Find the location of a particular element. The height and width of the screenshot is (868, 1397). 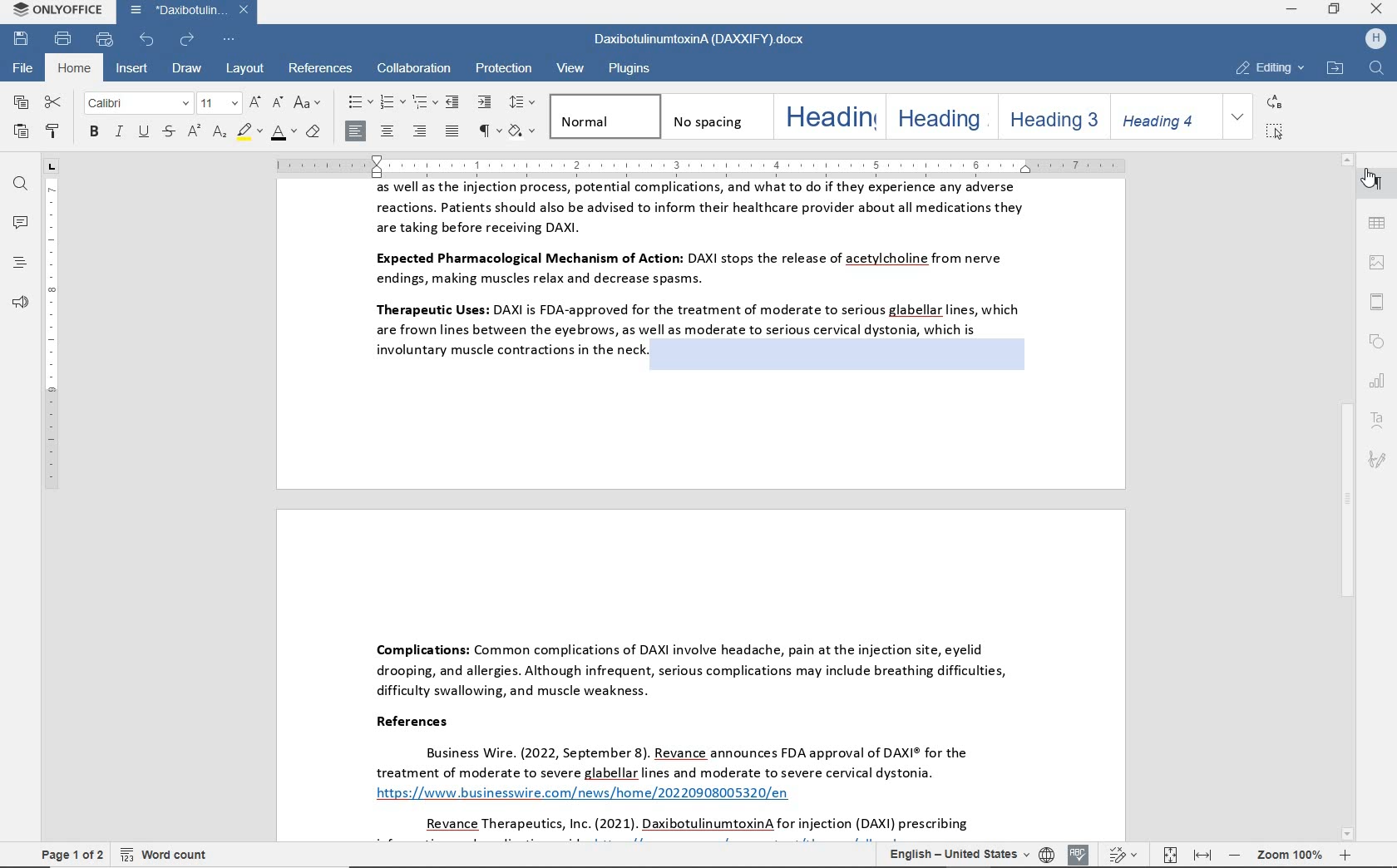

ruler is located at coordinates (702, 165).